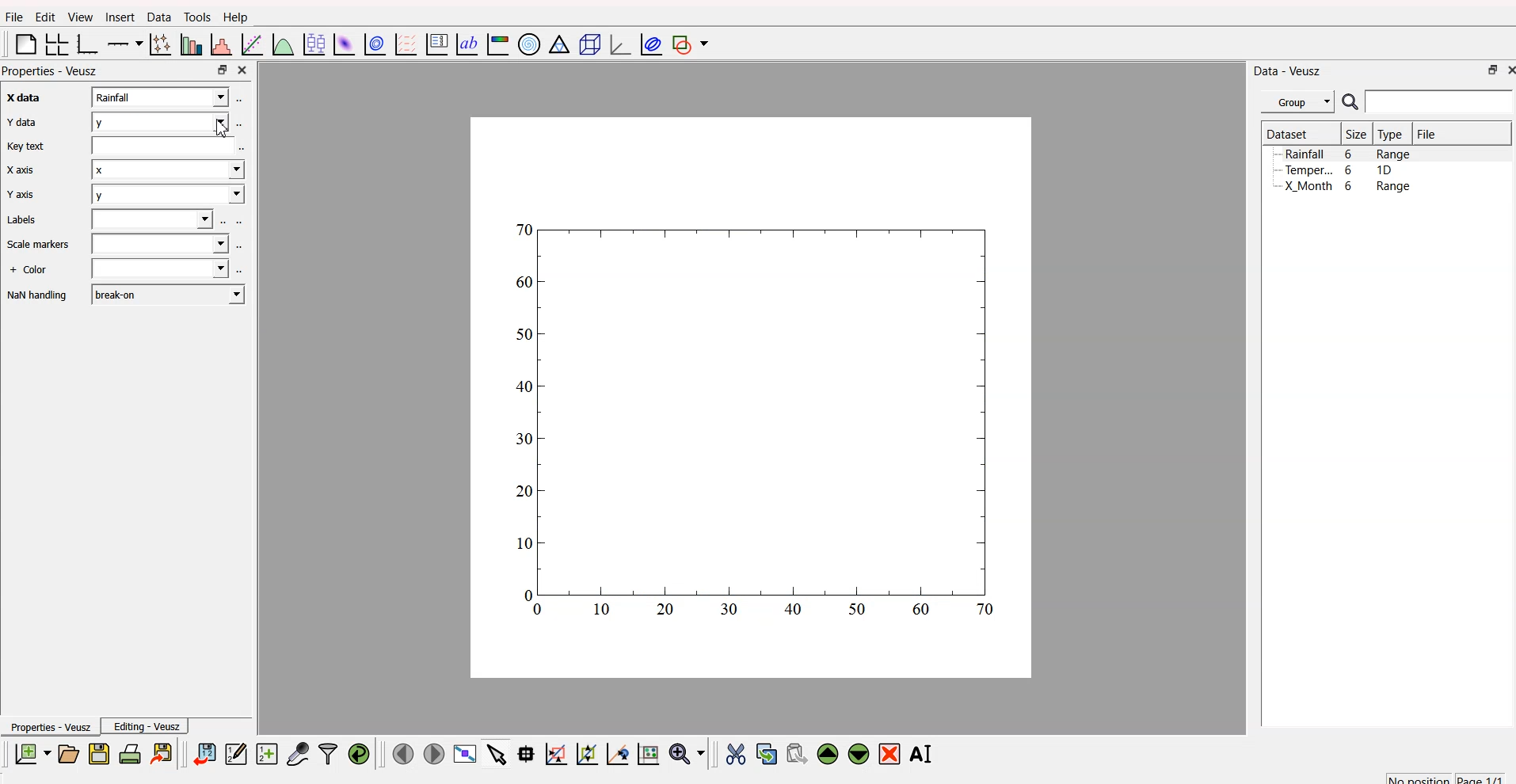  What do you see at coordinates (97, 753) in the screenshot?
I see `save a document` at bounding box center [97, 753].